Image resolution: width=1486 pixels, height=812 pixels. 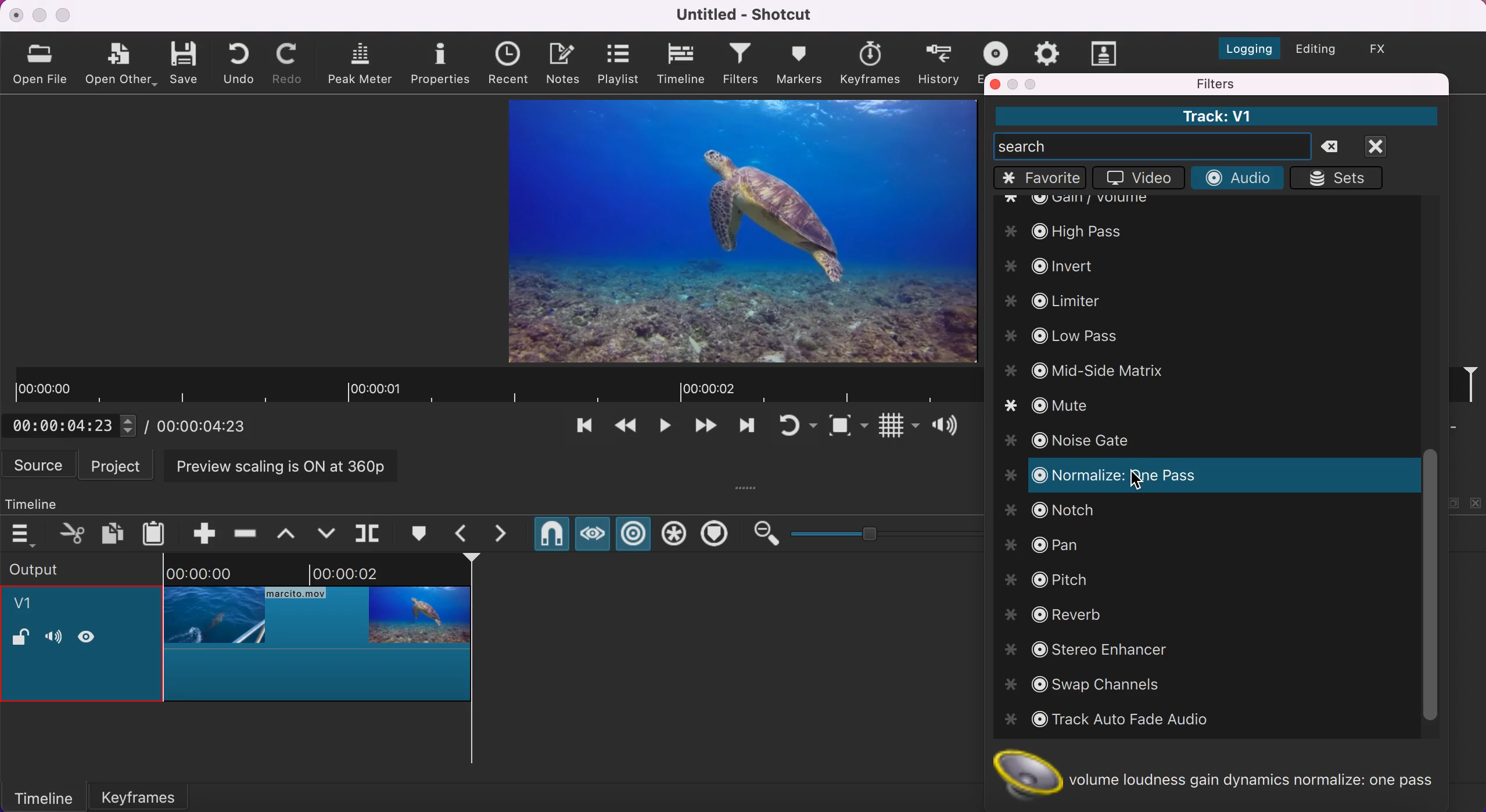 I want to click on clip, so click(x=729, y=229).